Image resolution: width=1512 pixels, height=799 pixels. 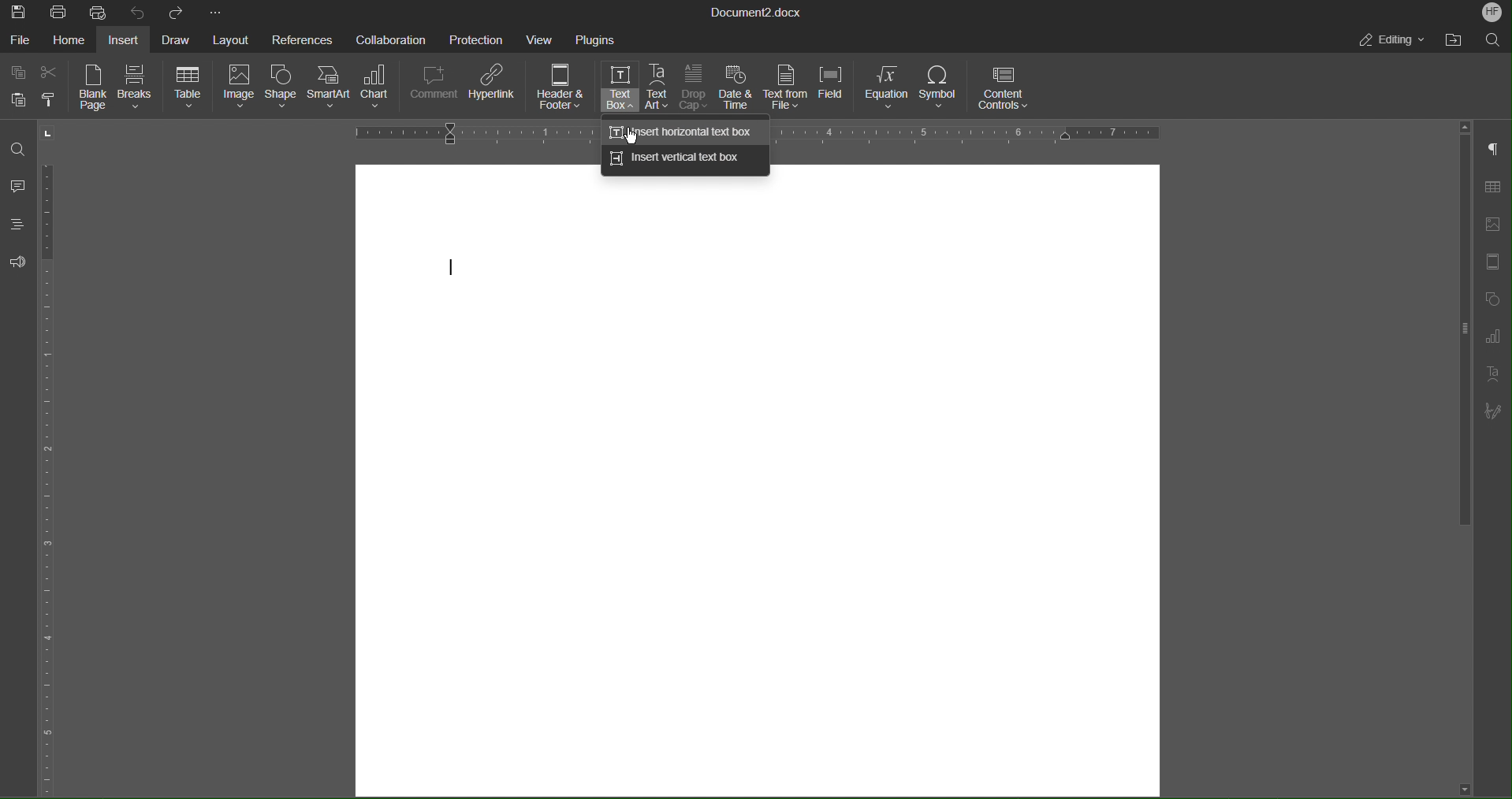 I want to click on Paste, so click(x=18, y=99).